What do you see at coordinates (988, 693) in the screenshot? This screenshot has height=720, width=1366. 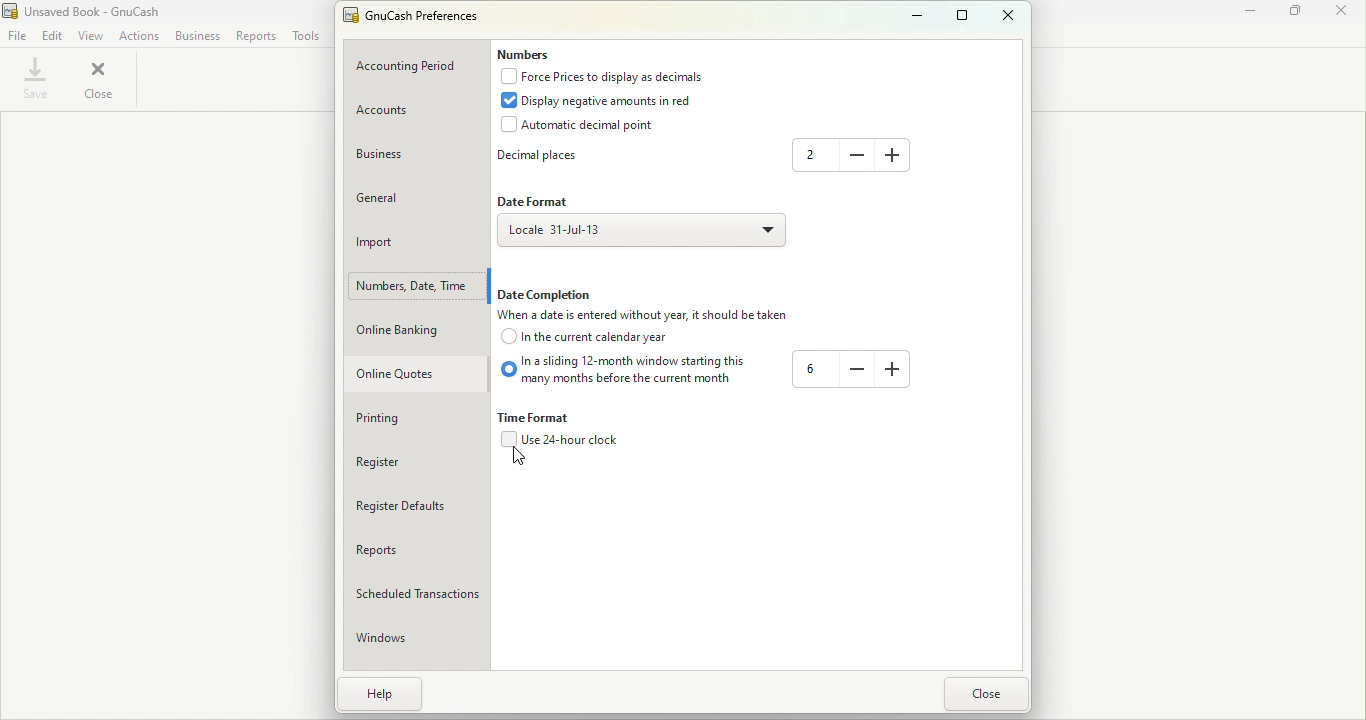 I see `Close` at bounding box center [988, 693].